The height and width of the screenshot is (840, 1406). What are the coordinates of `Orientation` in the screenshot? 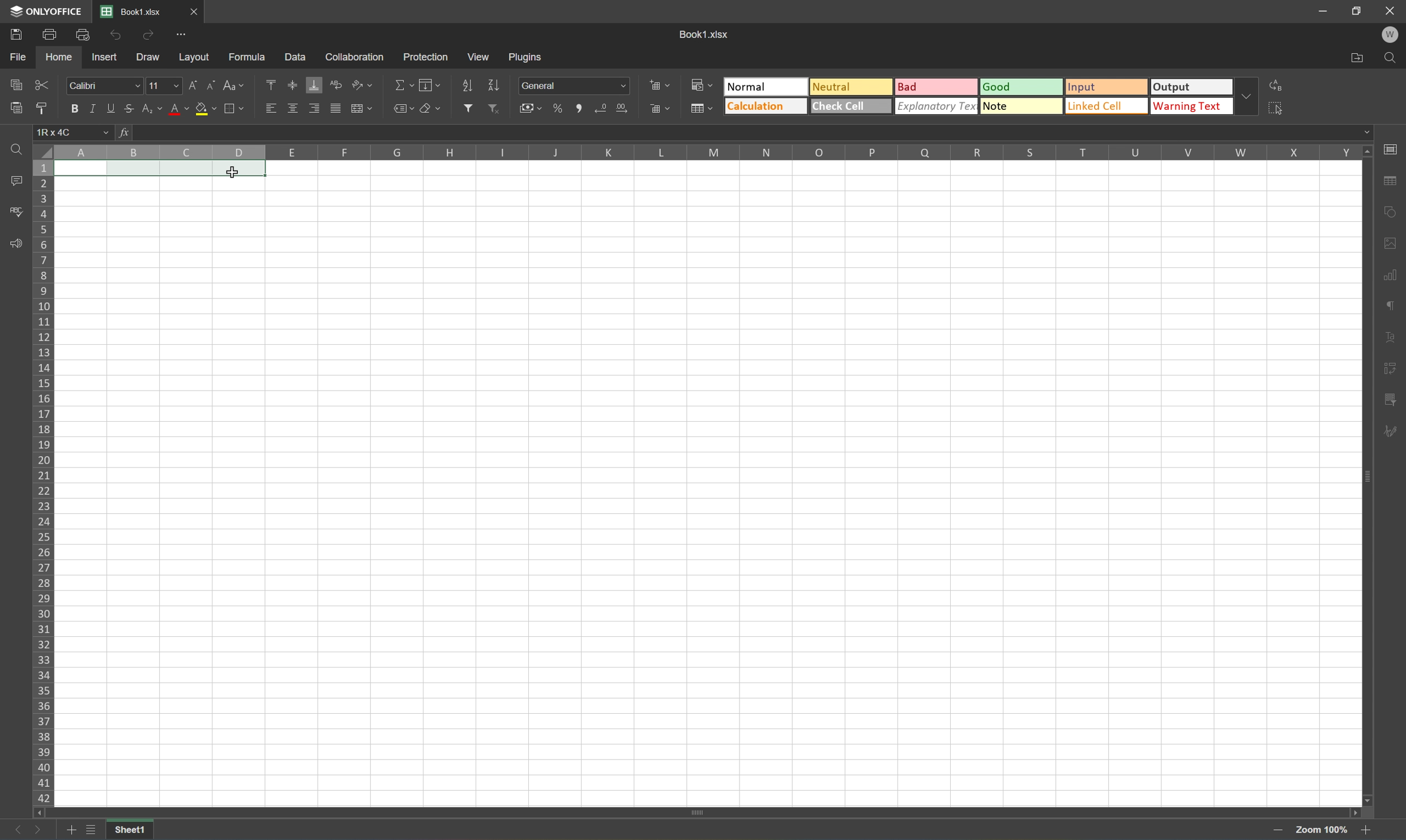 It's located at (362, 84).